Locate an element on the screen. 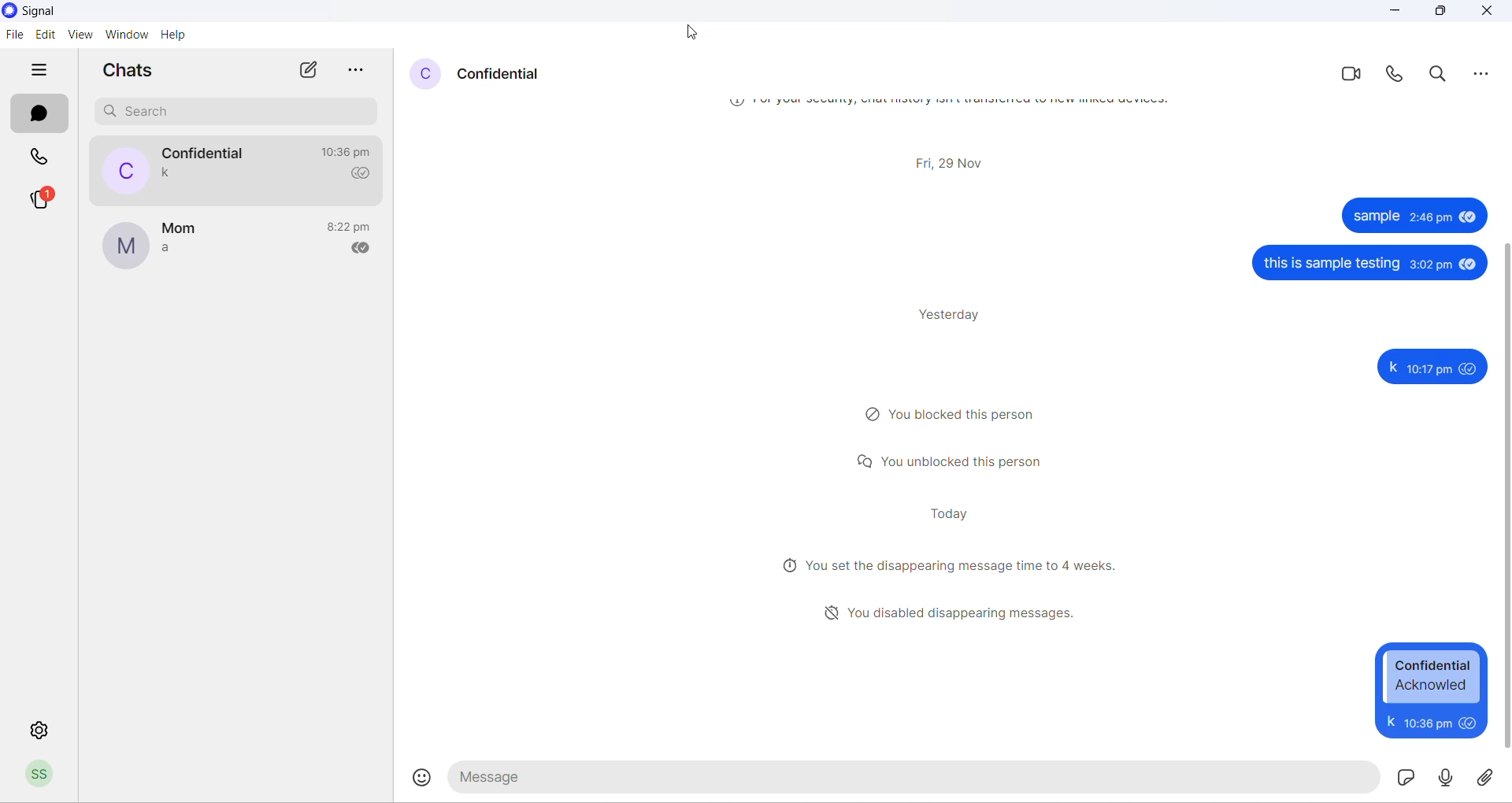  contact name is located at coordinates (206, 154).